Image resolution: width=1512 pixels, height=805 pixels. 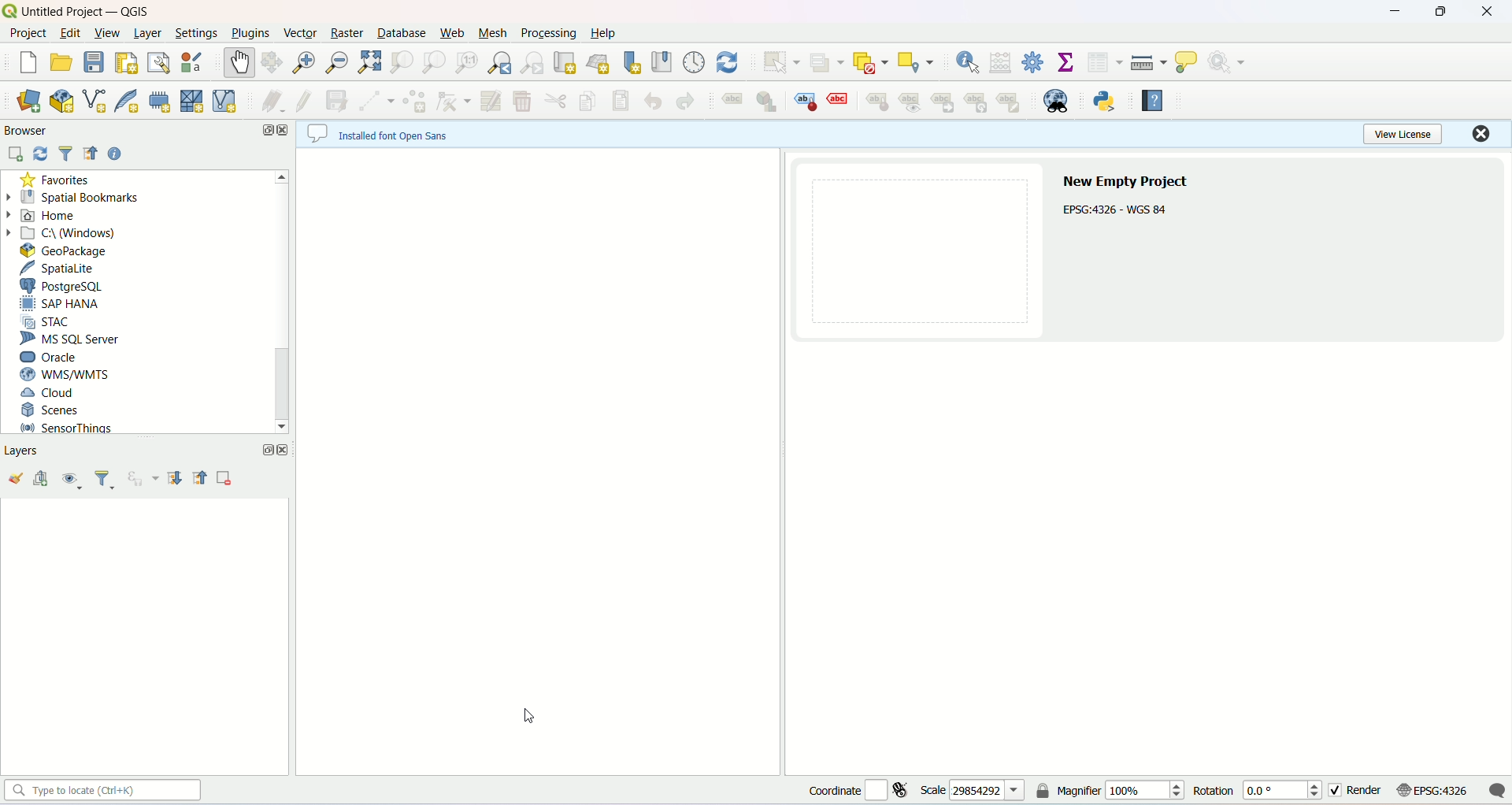 What do you see at coordinates (734, 102) in the screenshot?
I see `layer labelling options` at bounding box center [734, 102].